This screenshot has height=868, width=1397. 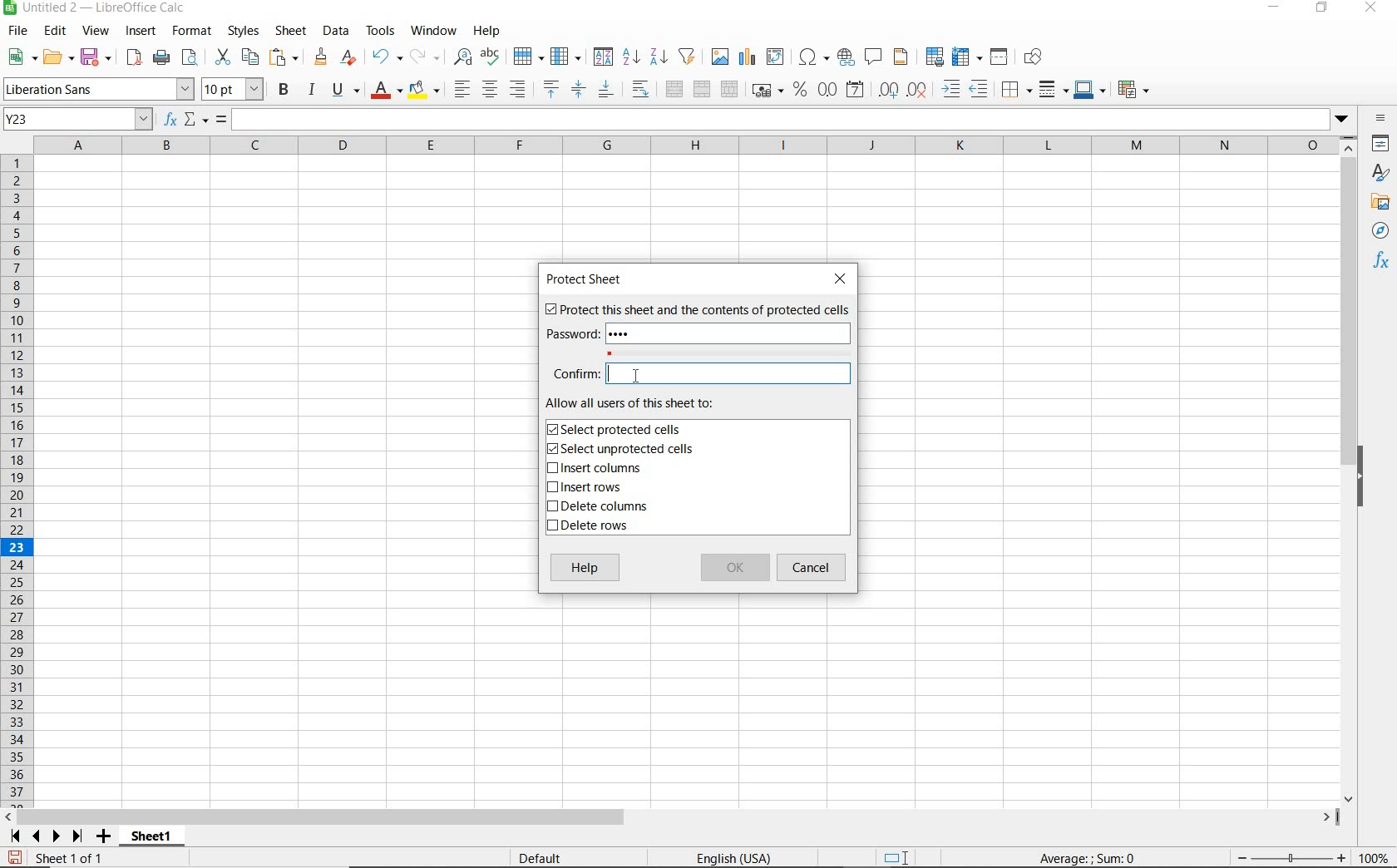 What do you see at coordinates (1001, 56) in the screenshot?
I see `SPLIT WINDOW` at bounding box center [1001, 56].